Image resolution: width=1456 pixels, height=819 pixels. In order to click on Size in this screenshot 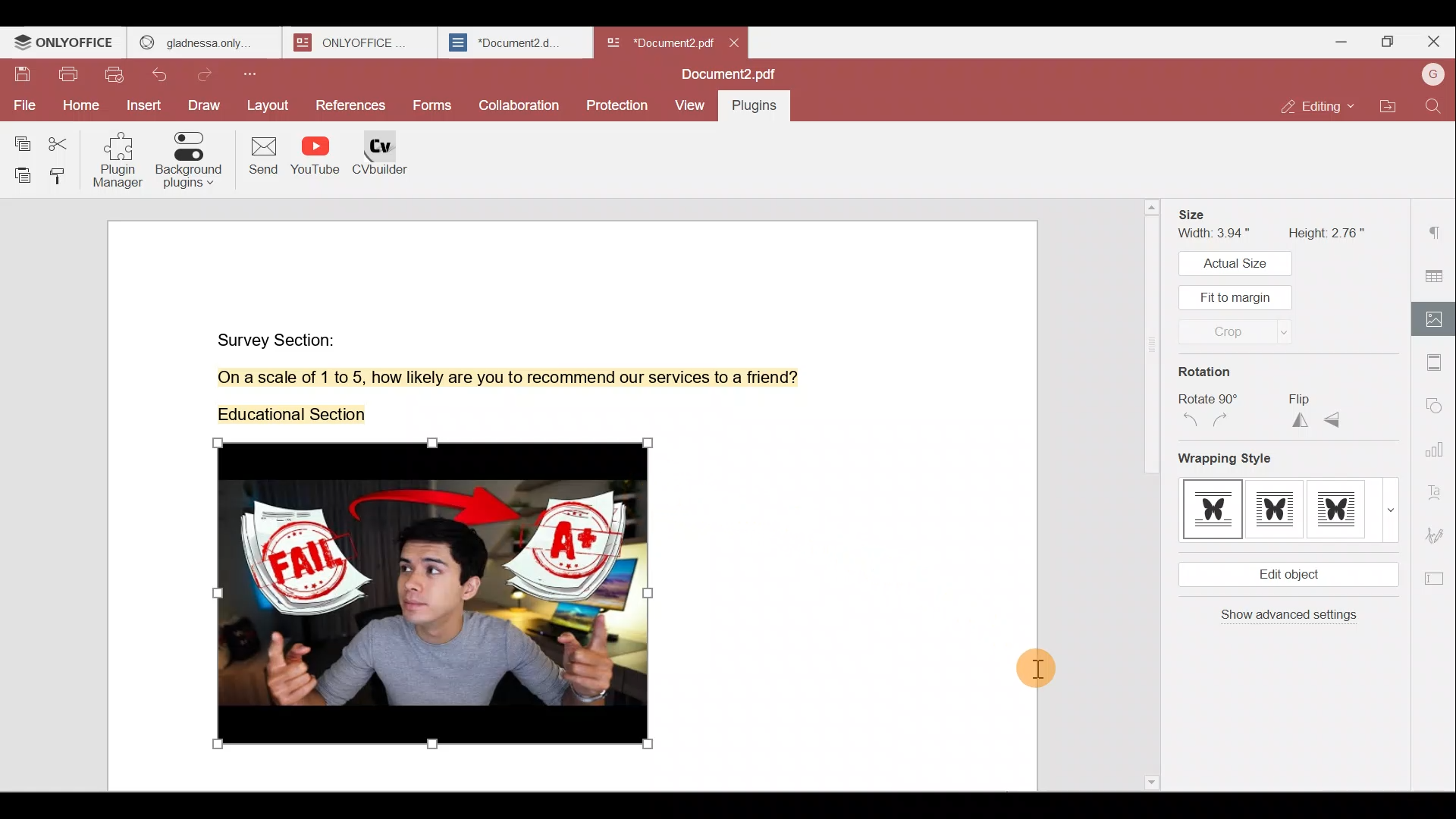, I will do `click(1201, 212)`.